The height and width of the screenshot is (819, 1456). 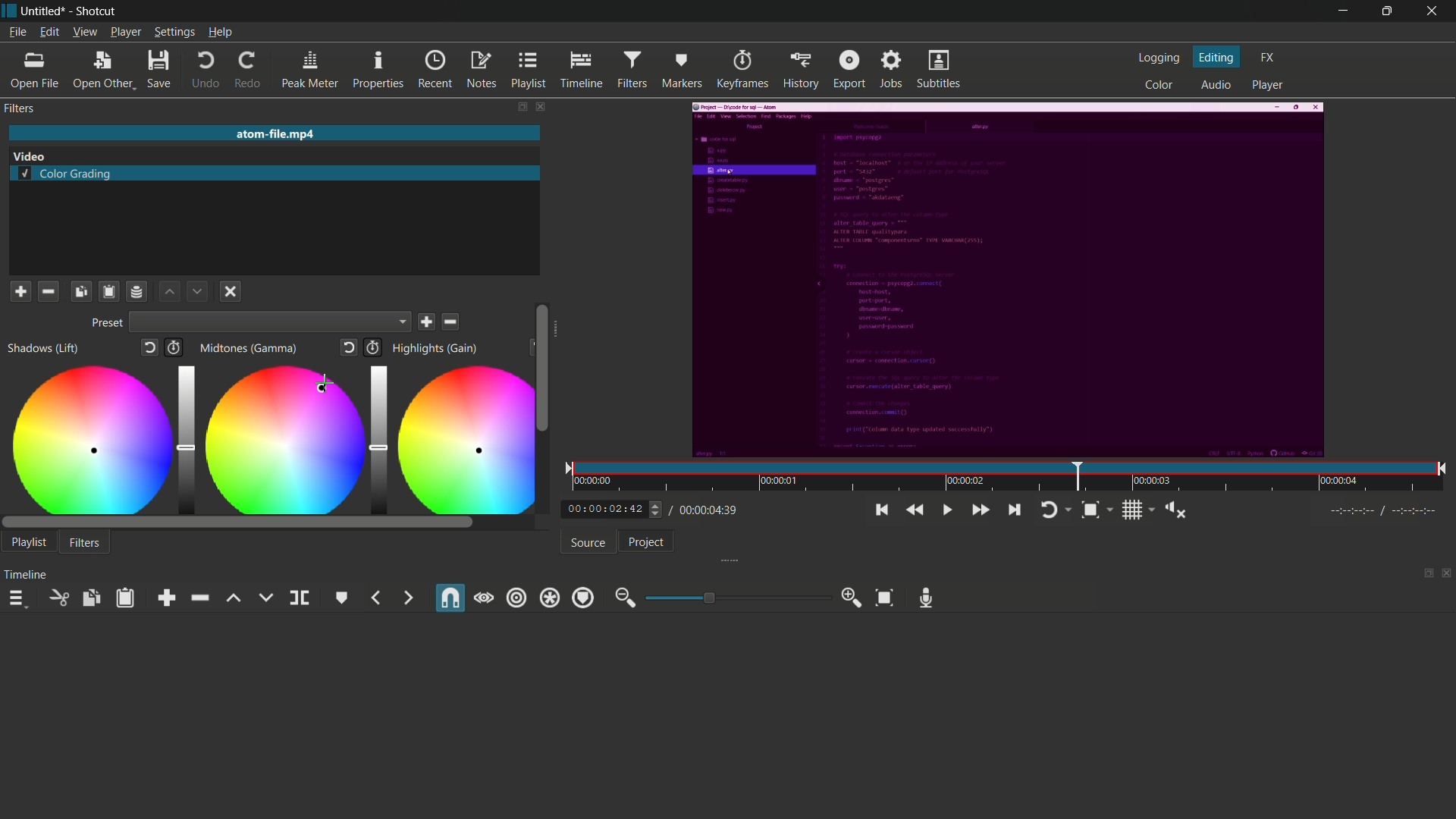 I want to click on dropdown, so click(x=271, y=324).